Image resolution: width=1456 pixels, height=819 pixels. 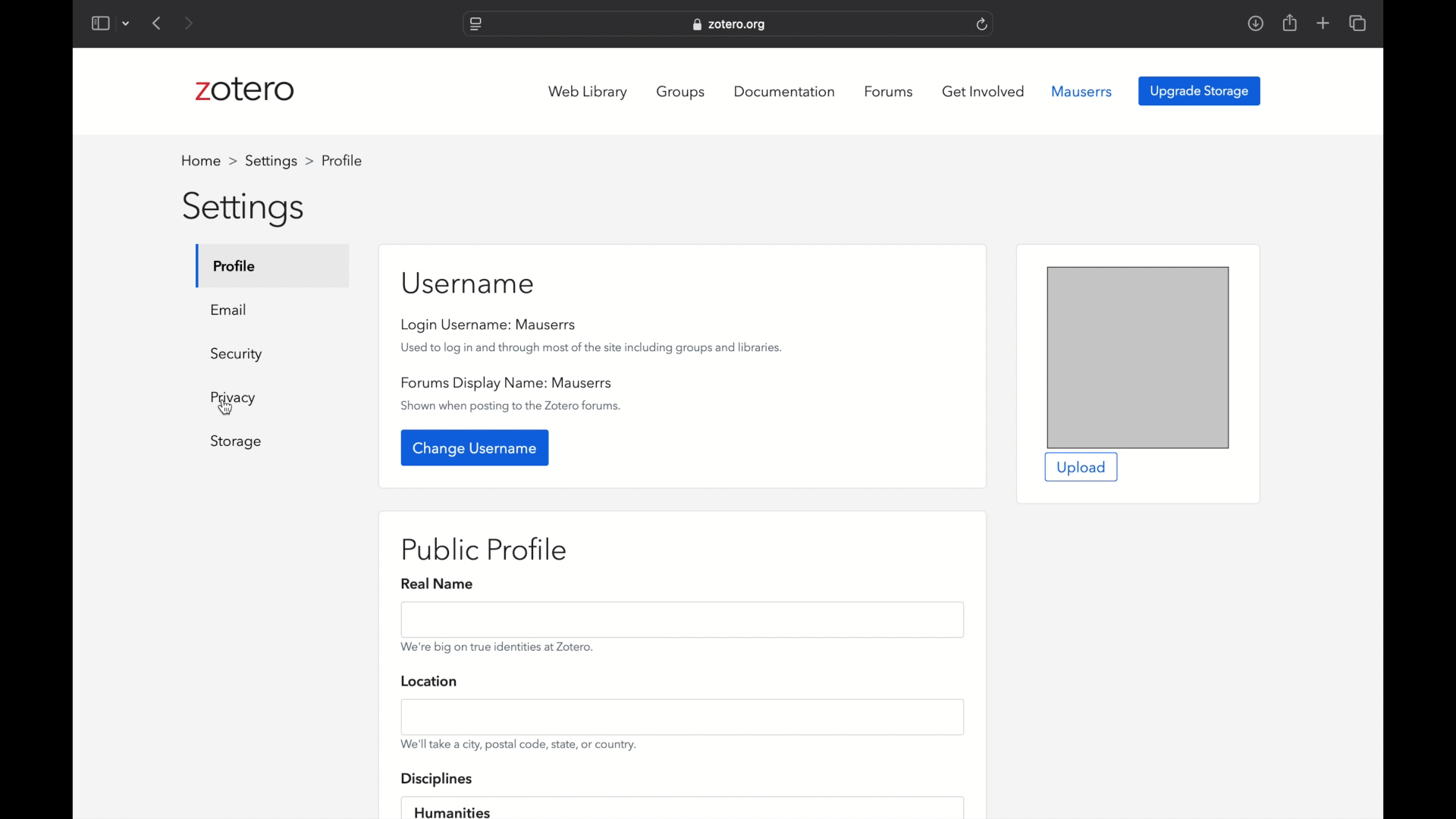 What do you see at coordinates (236, 442) in the screenshot?
I see `storage` at bounding box center [236, 442].